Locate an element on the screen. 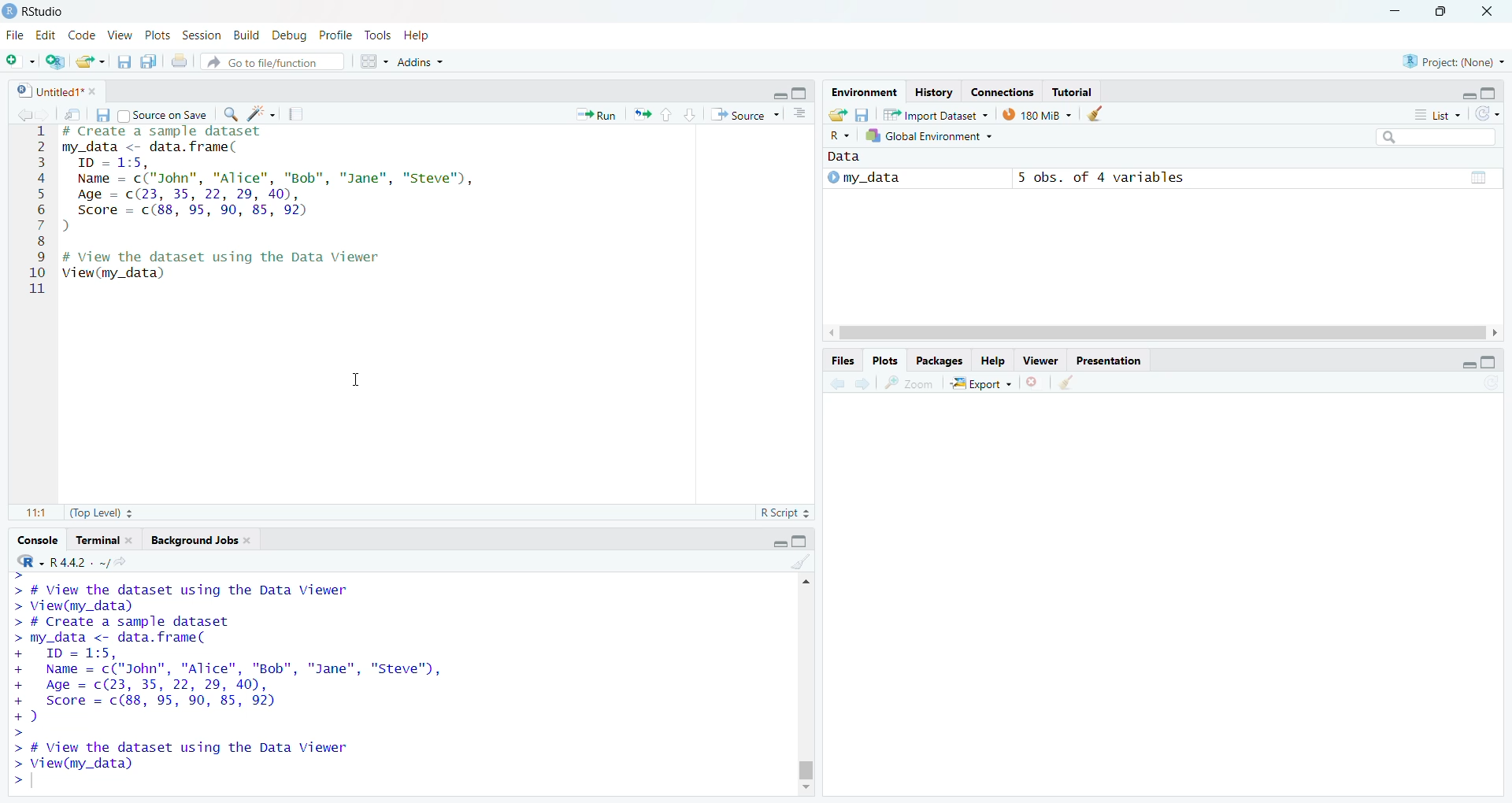 This screenshot has height=803, width=1512. Console is located at coordinates (39, 540).